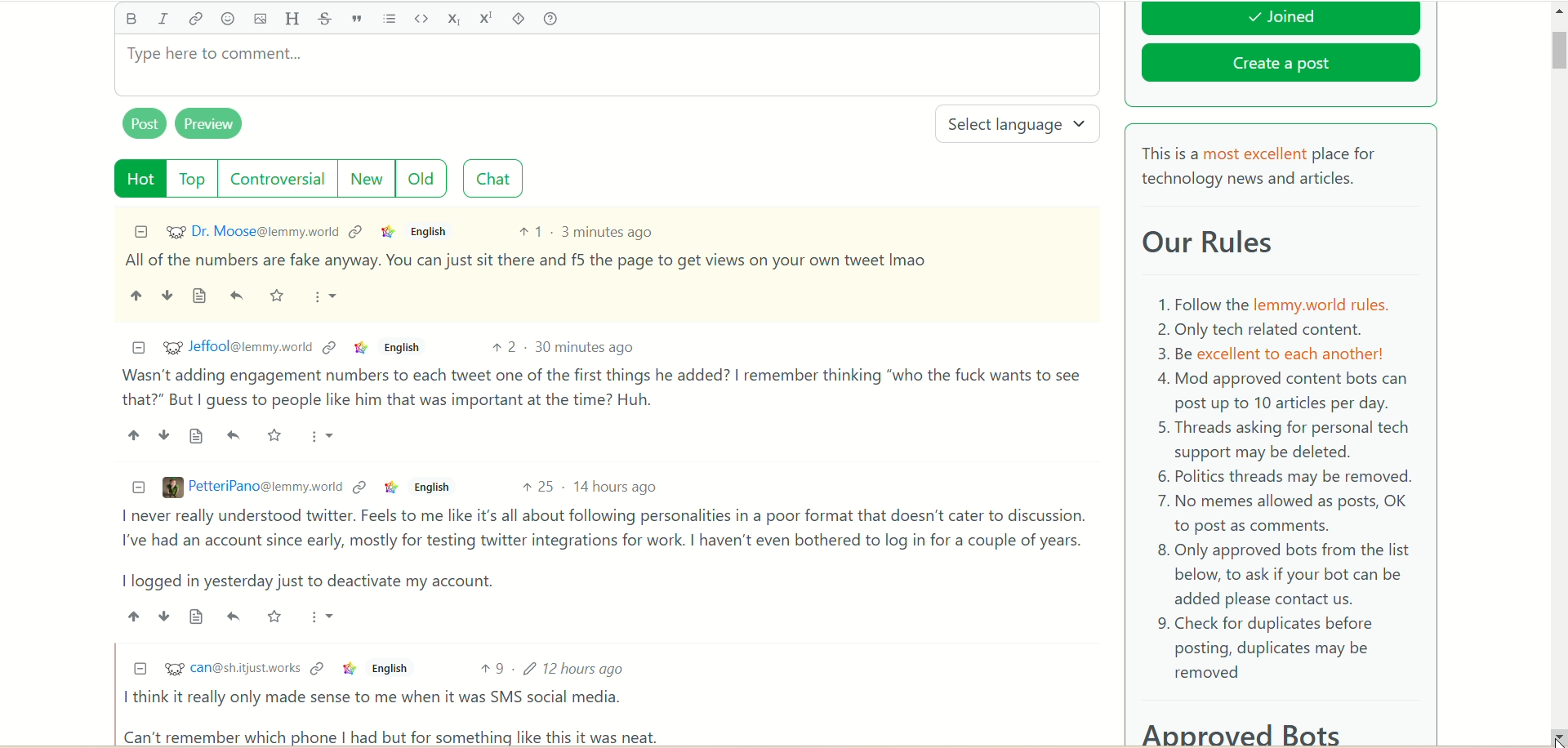 The width and height of the screenshot is (1568, 748). I want to click on FF can@sh.itjustworks, so click(231, 670).